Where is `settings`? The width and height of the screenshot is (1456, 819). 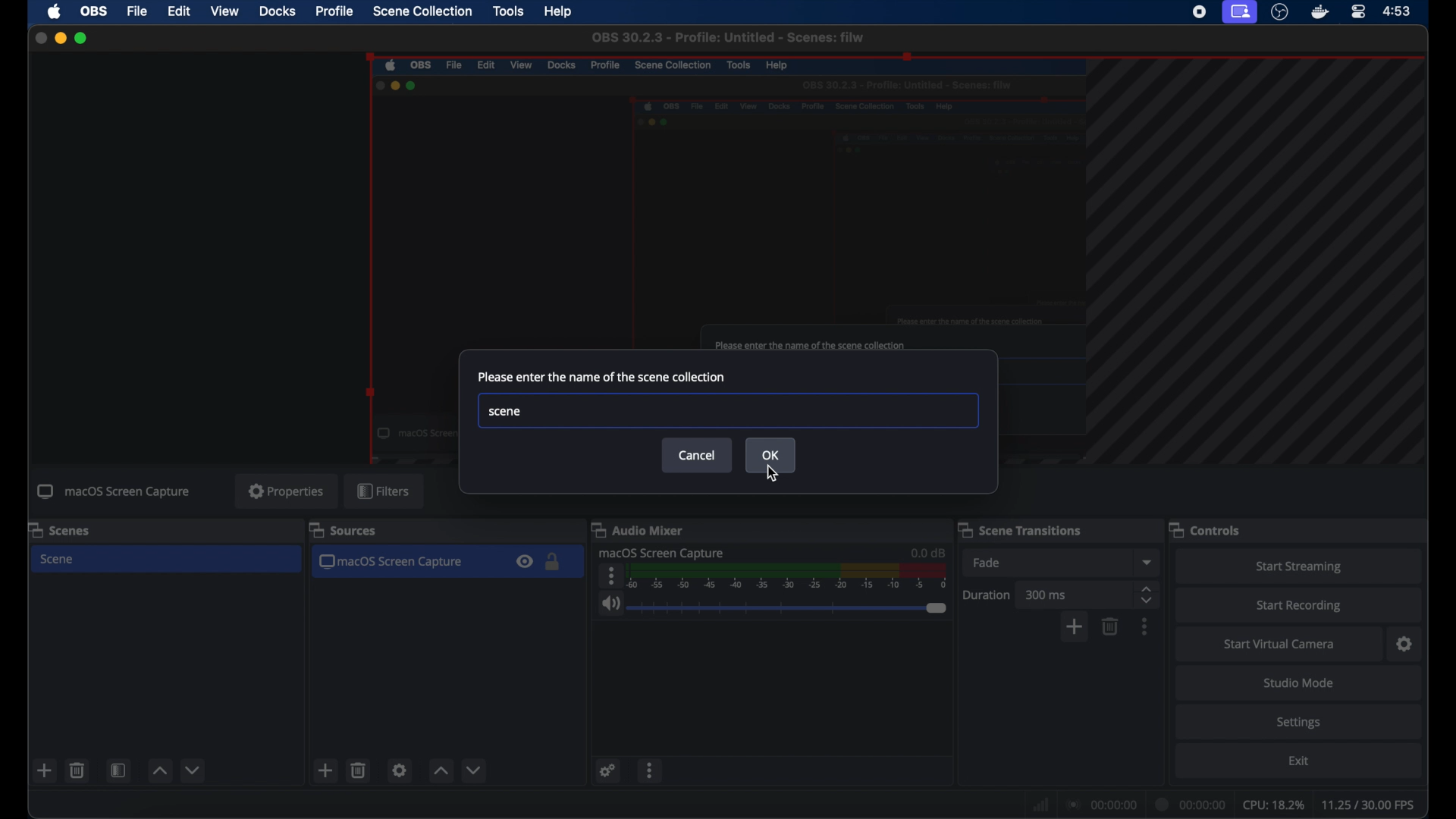 settings is located at coordinates (607, 771).